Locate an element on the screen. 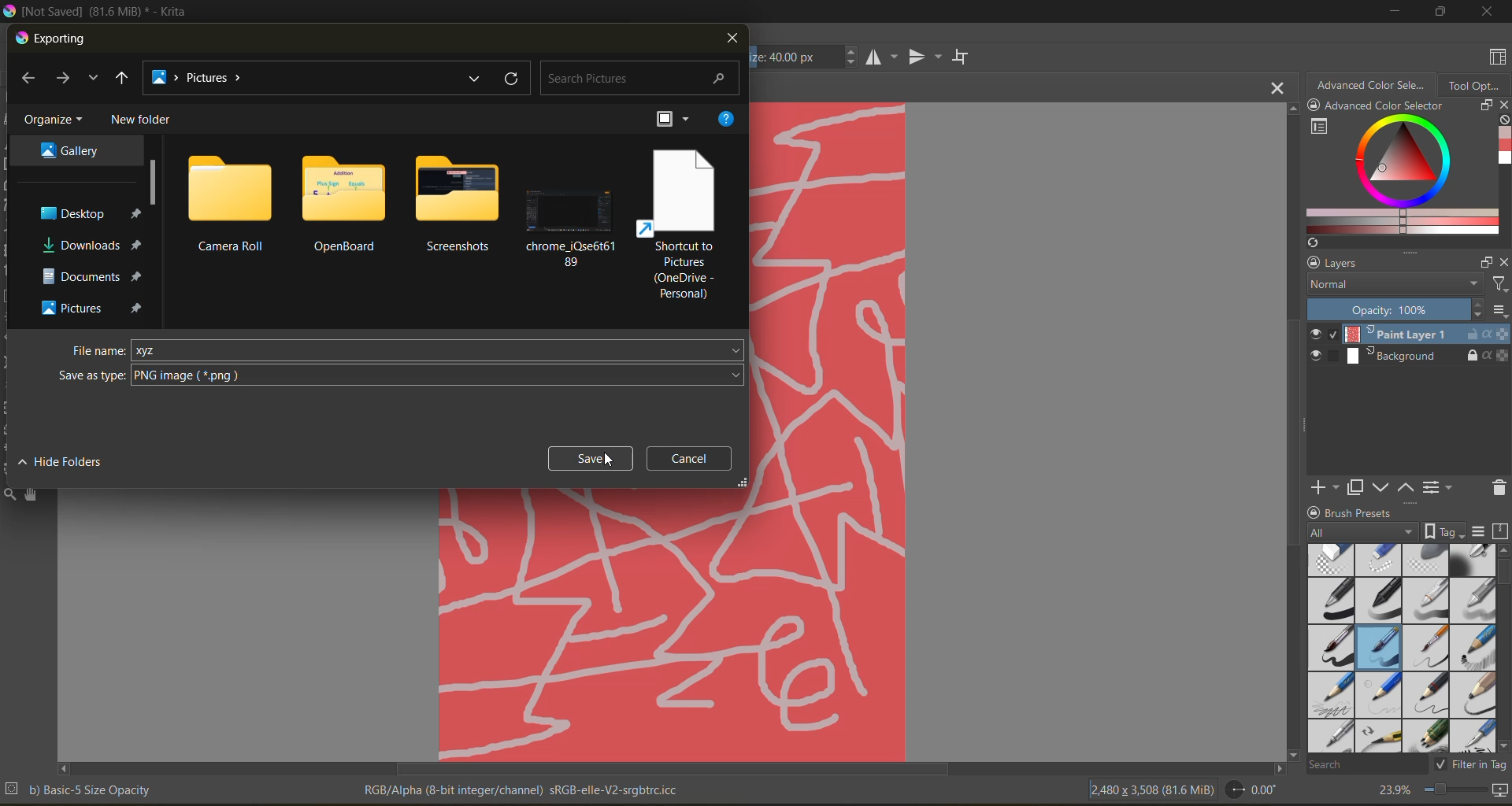  mask up is located at coordinates (1407, 486).